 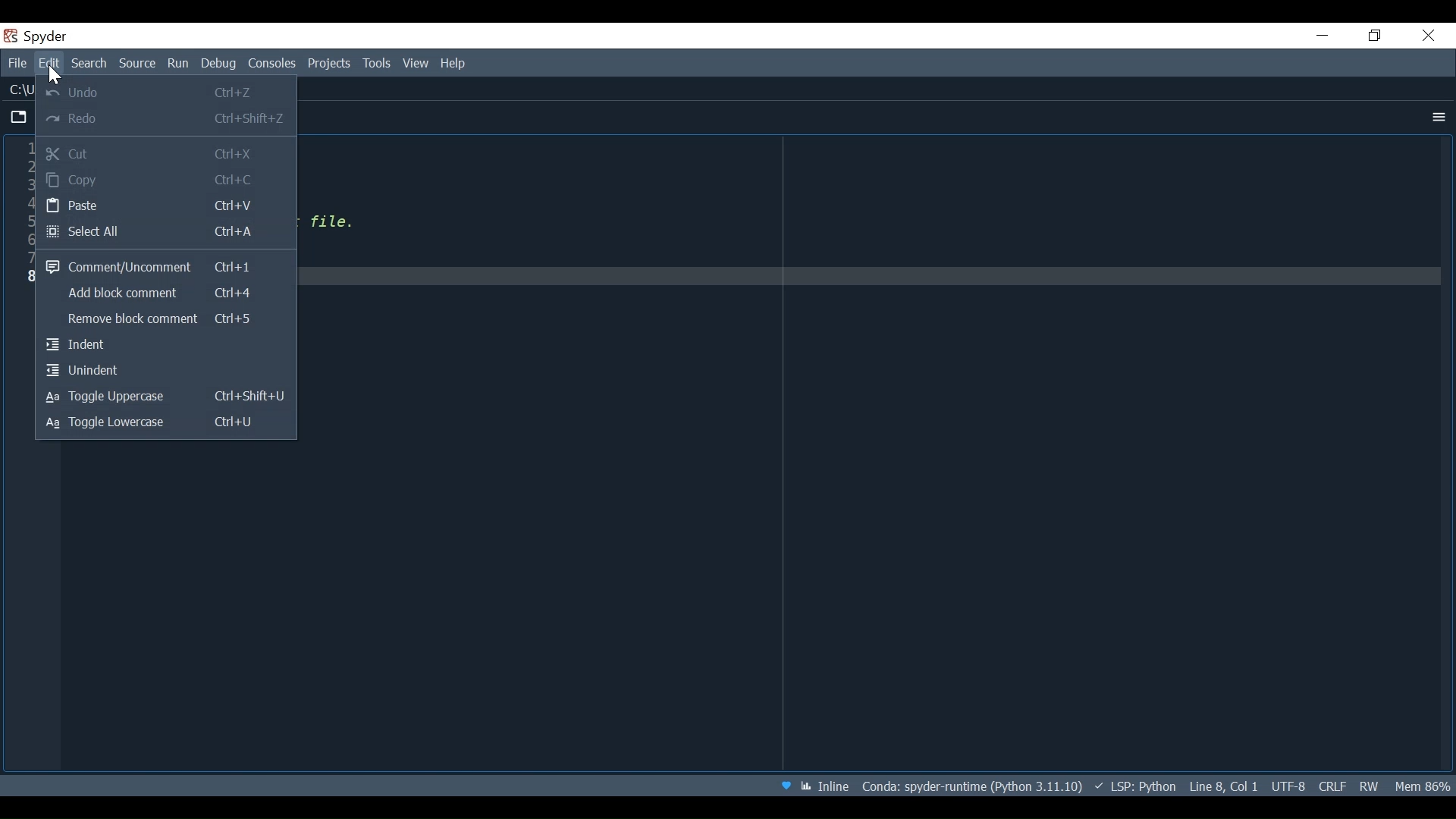 What do you see at coordinates (115, 424) in the screenshot?
I see `Toggle lowercase` at bounding box center [115, 424].